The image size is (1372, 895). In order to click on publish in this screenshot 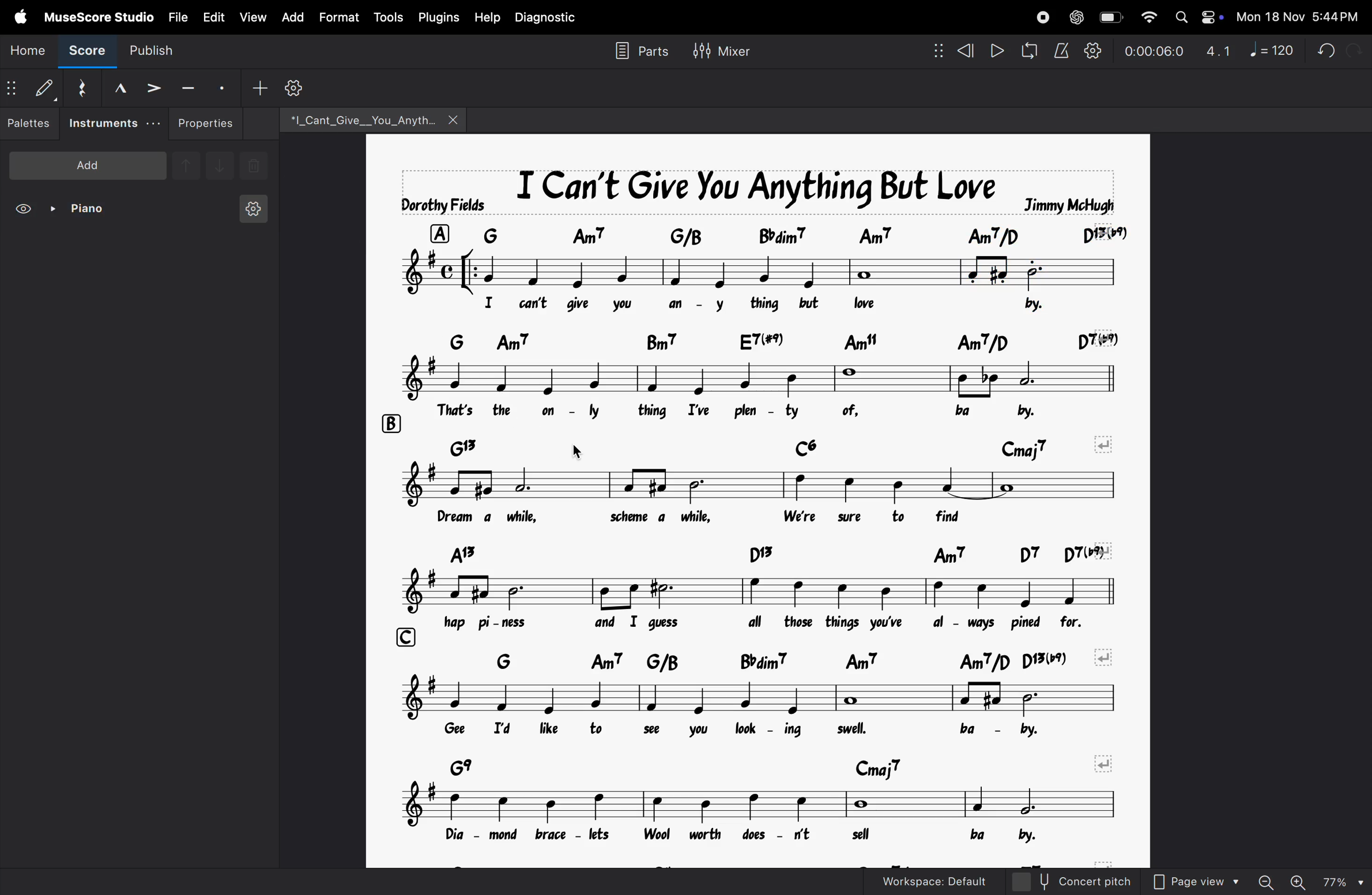, I will do `click(151, 52)`.